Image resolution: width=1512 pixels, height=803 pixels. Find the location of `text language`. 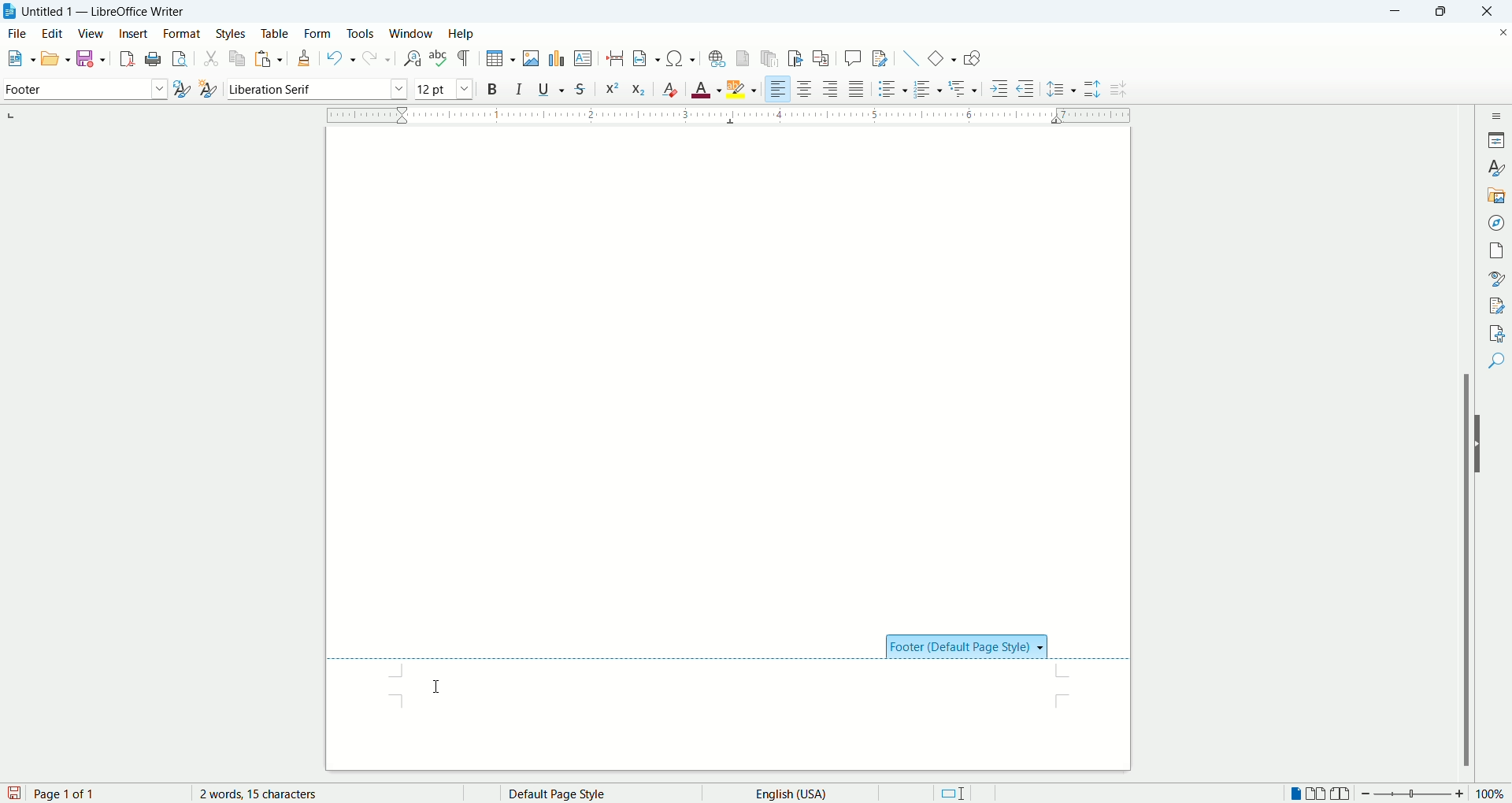

text language is located at coordinates (786, 793).